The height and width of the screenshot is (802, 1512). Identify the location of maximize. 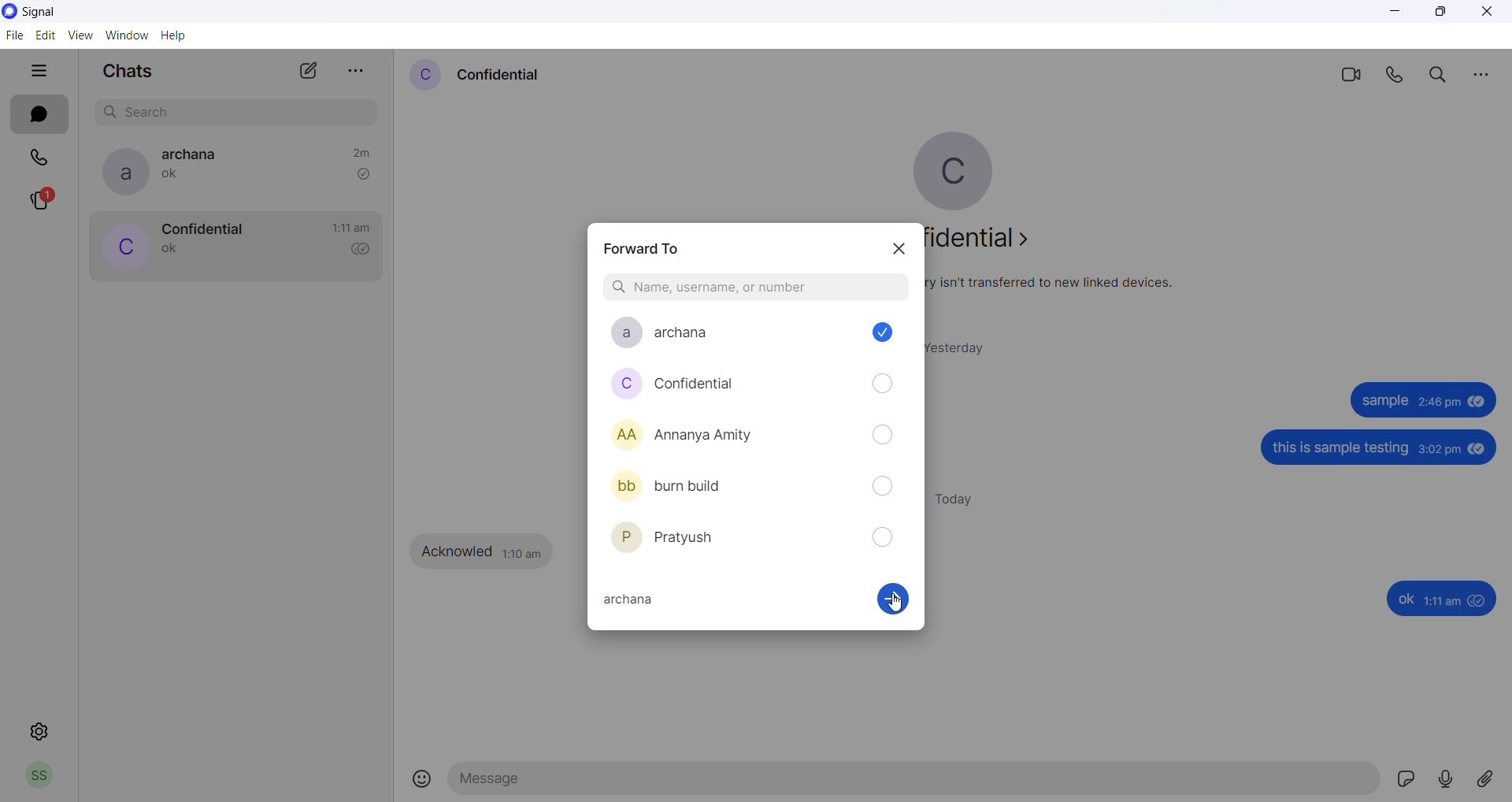
(1440, 14).